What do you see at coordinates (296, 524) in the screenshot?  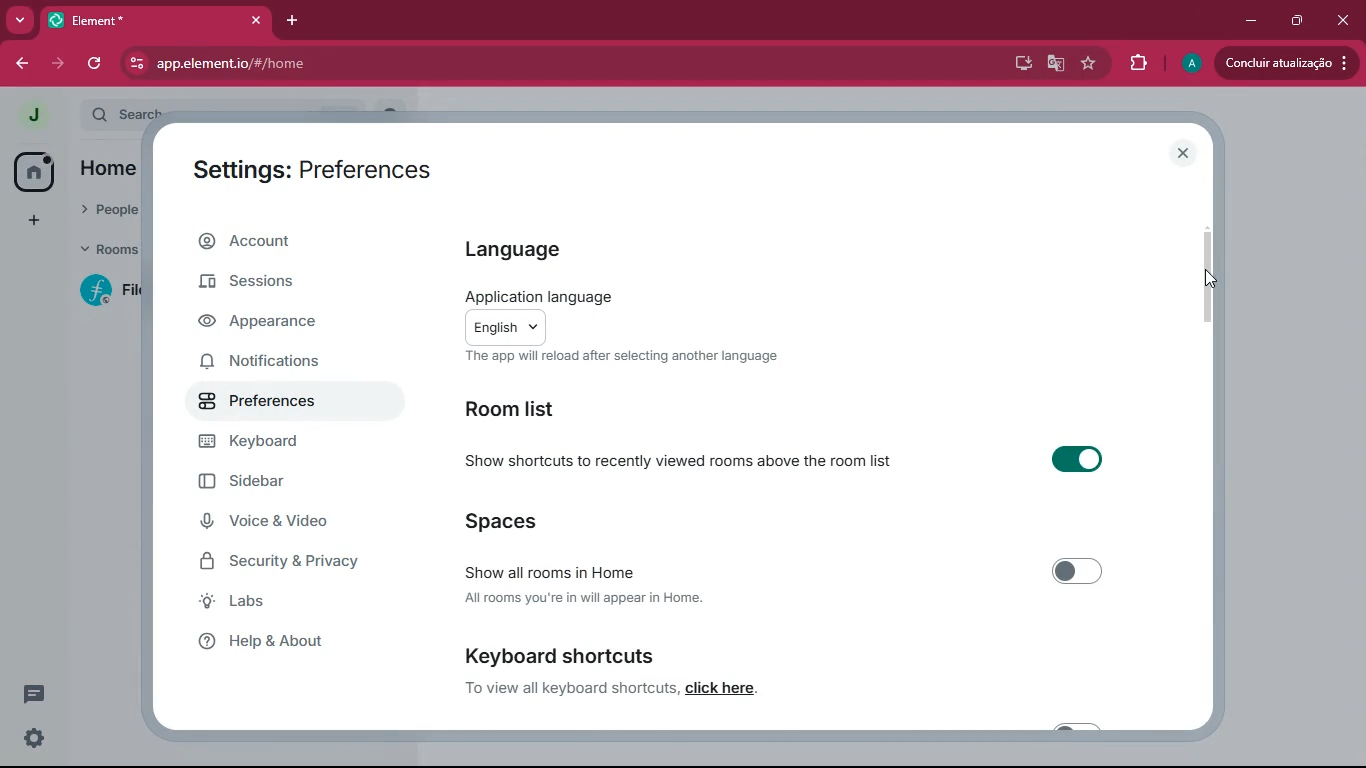 I see `voice & video` at bounding box center [296, 524].